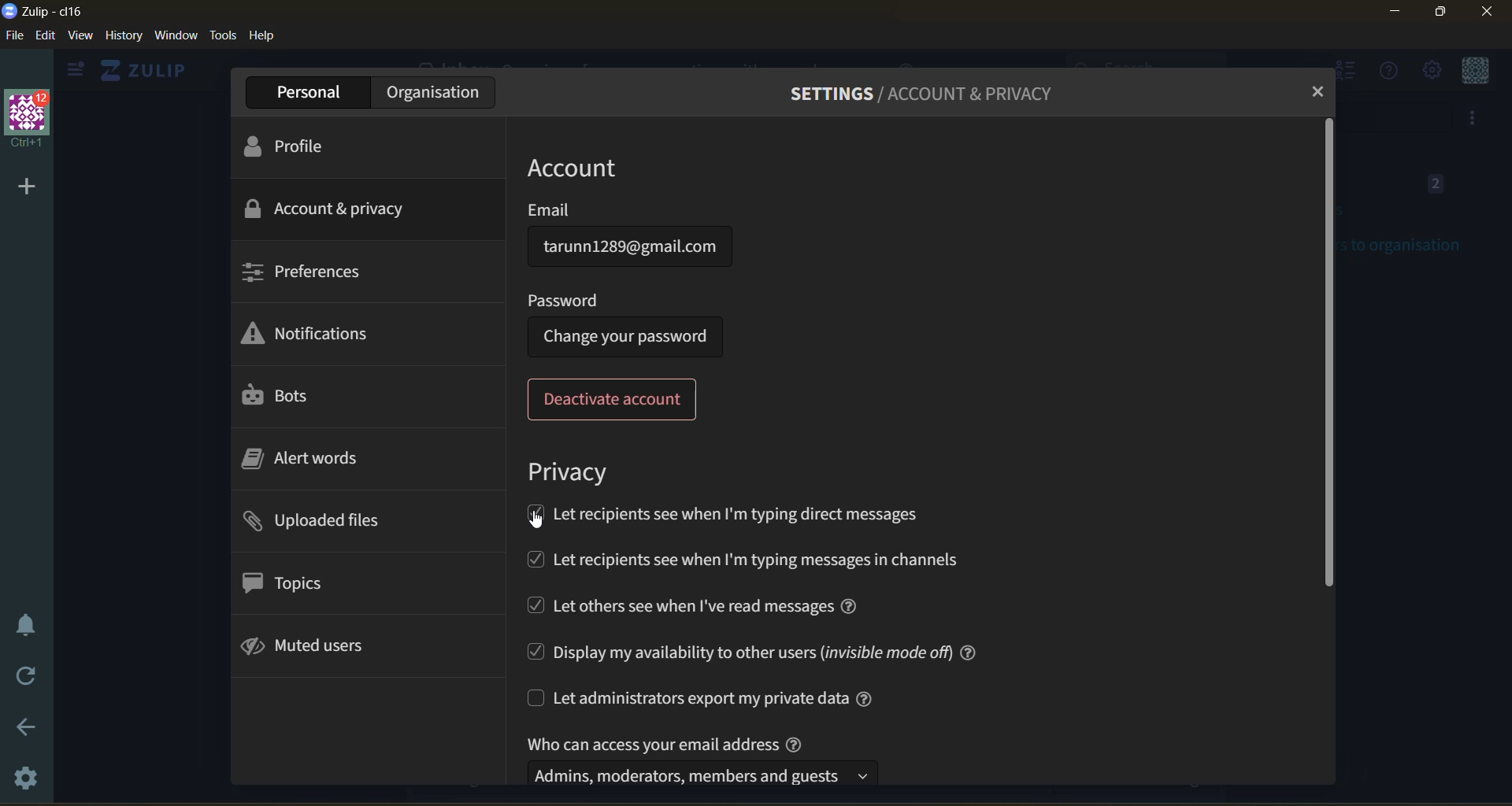 The width and height of the screenshot is (1512, 806). Describe the element at coordinates (26, 625) in the screenshot. I see `enable do not disturb` at that location.